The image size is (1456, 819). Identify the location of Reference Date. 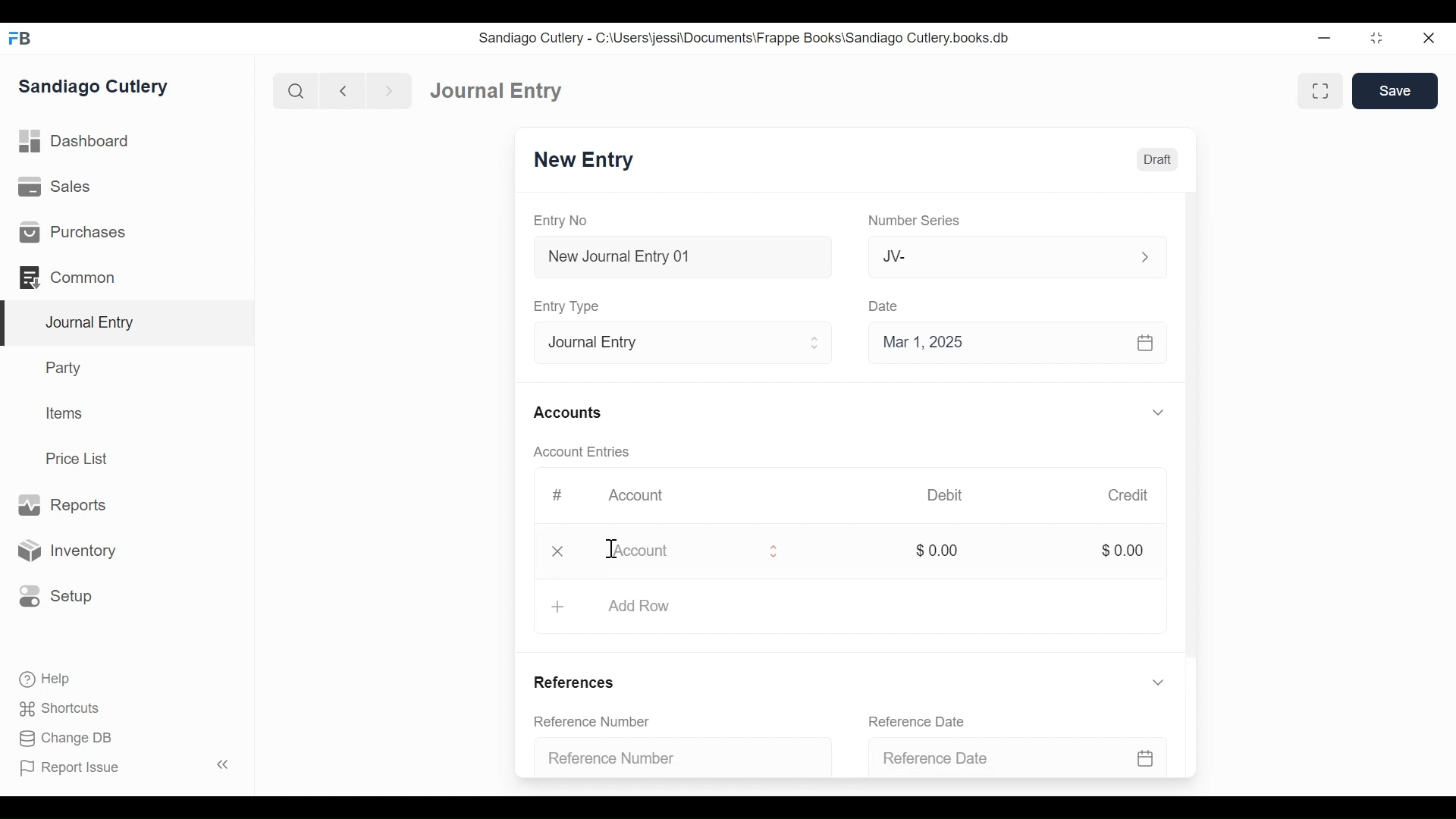
(918, 720).